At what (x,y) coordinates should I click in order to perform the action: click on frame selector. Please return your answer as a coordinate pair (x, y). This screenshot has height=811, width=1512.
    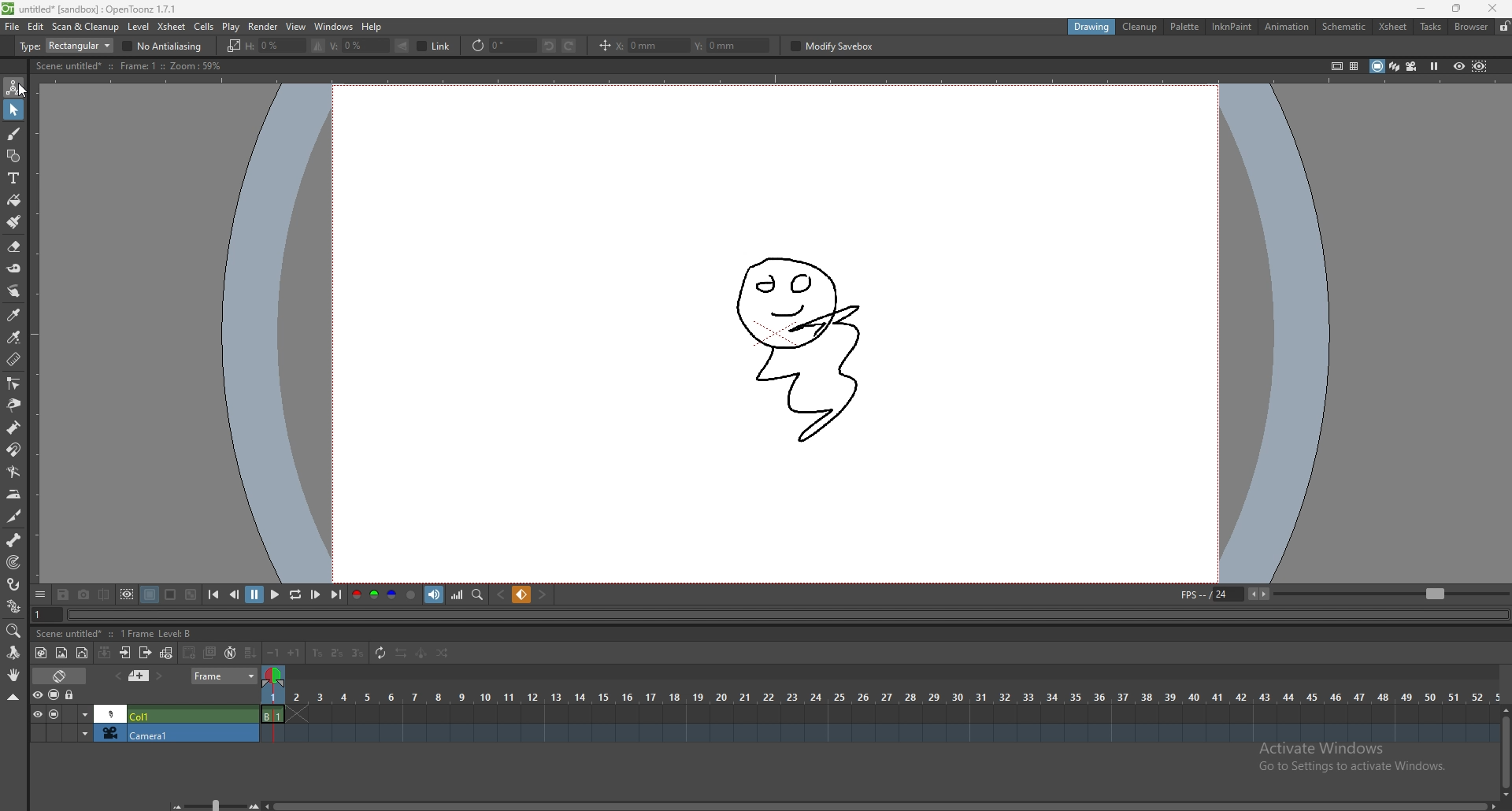
    Looking at the image, I should click on (276, 676).